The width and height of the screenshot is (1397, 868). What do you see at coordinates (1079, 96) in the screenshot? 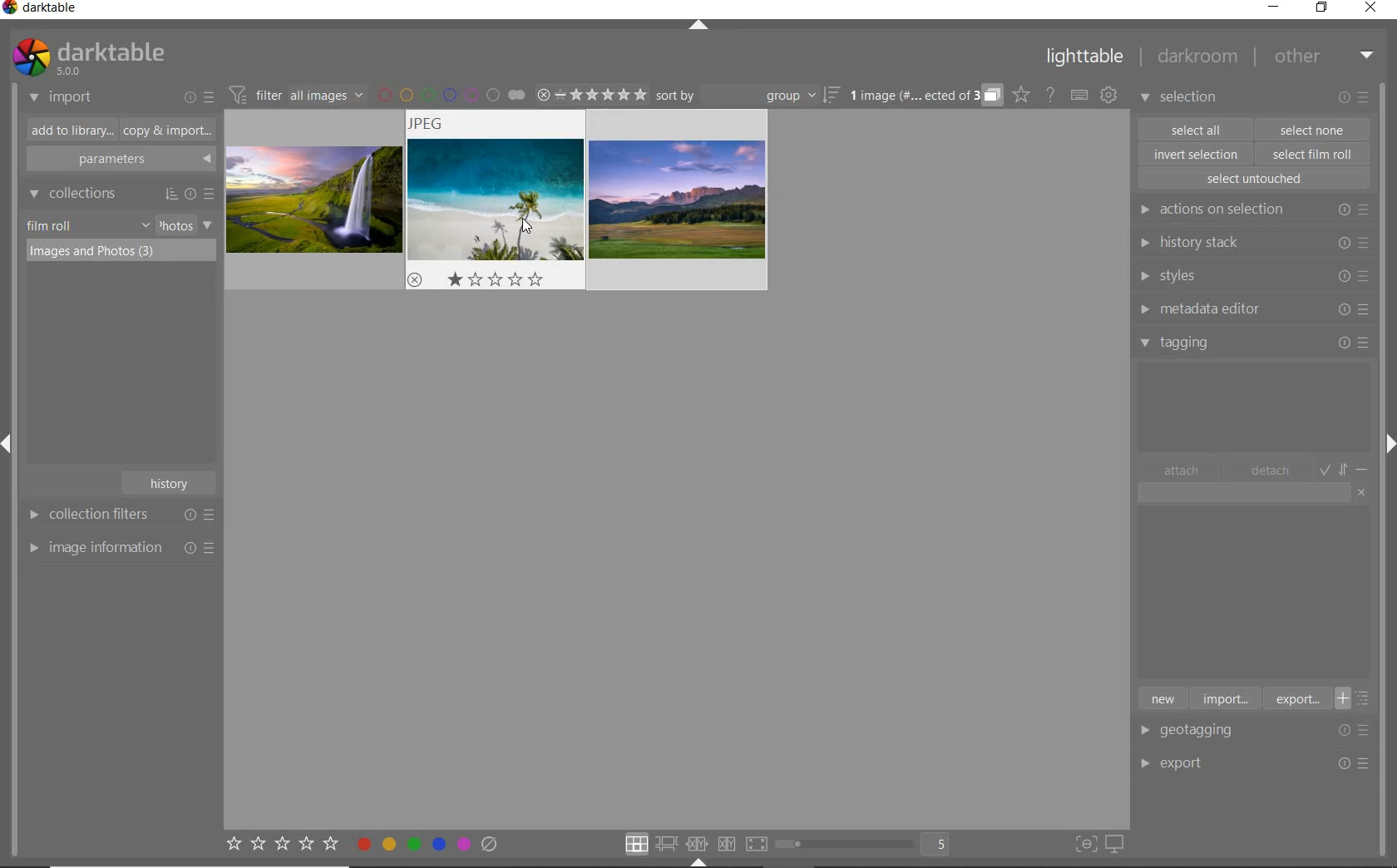
I see `set keyboard shortcut` at bounding box center [1079, 96].